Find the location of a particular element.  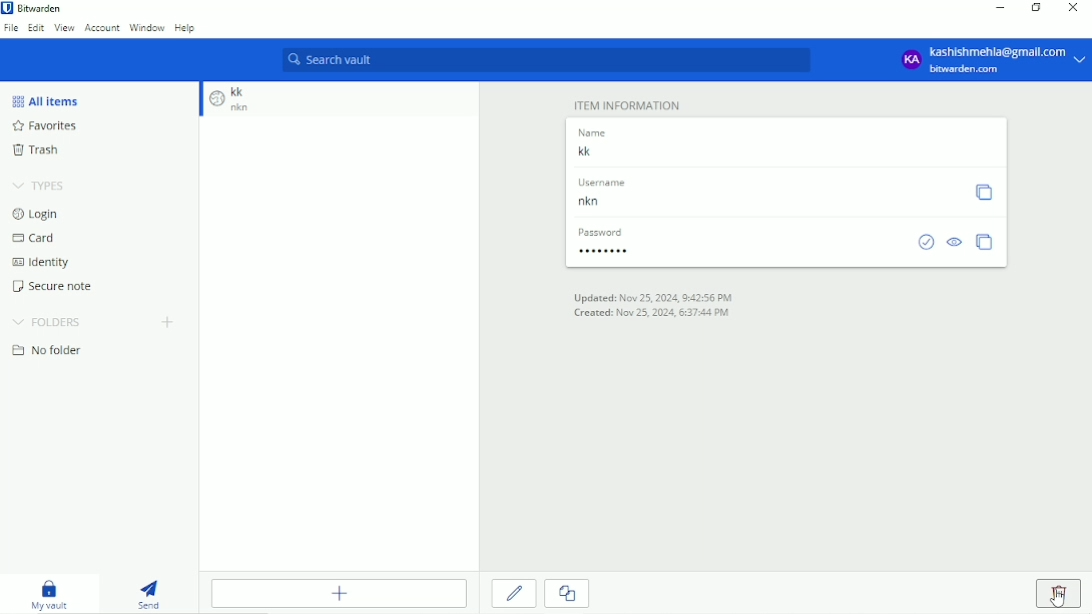

betwarden.com is located at coordinates (967, 70).